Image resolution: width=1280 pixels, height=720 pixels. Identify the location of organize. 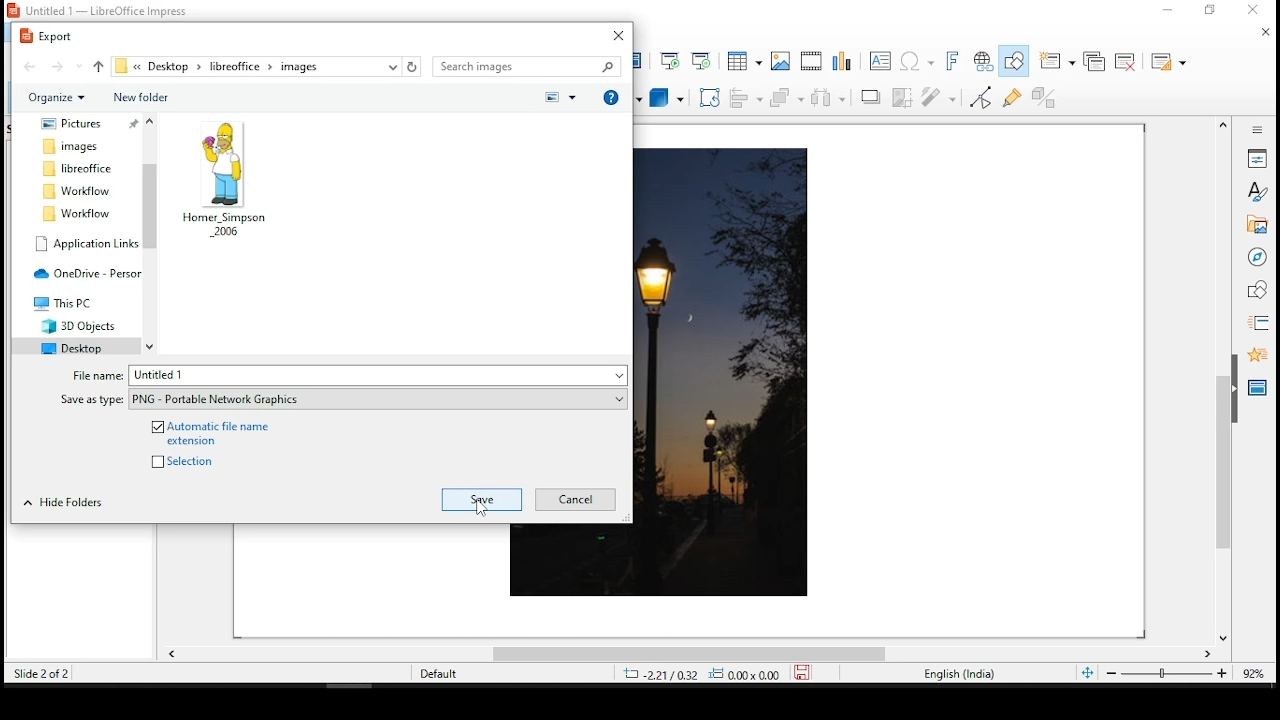
(57, 99).